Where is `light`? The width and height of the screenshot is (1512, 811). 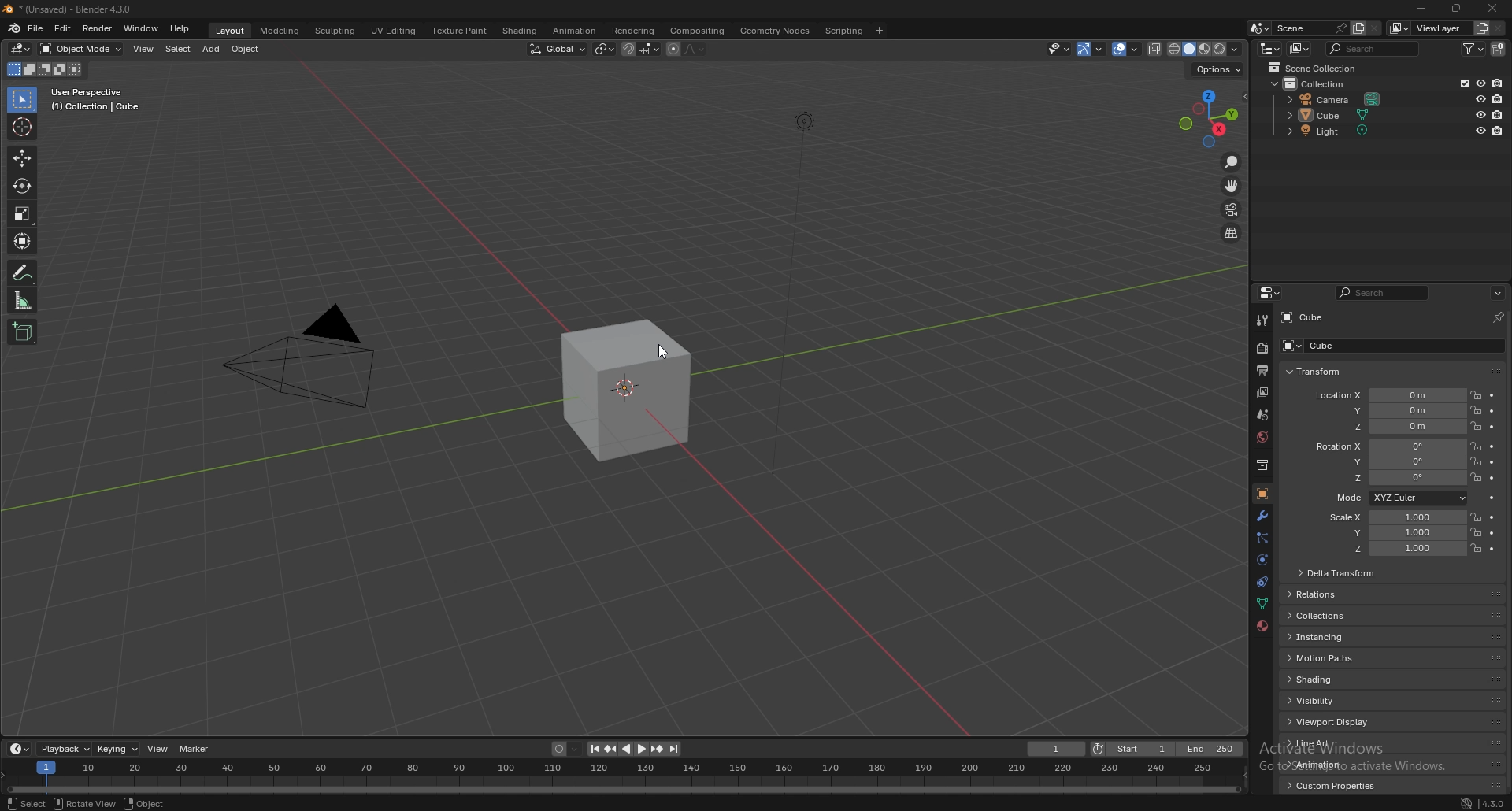
light is located at coordinates (1338, 131).